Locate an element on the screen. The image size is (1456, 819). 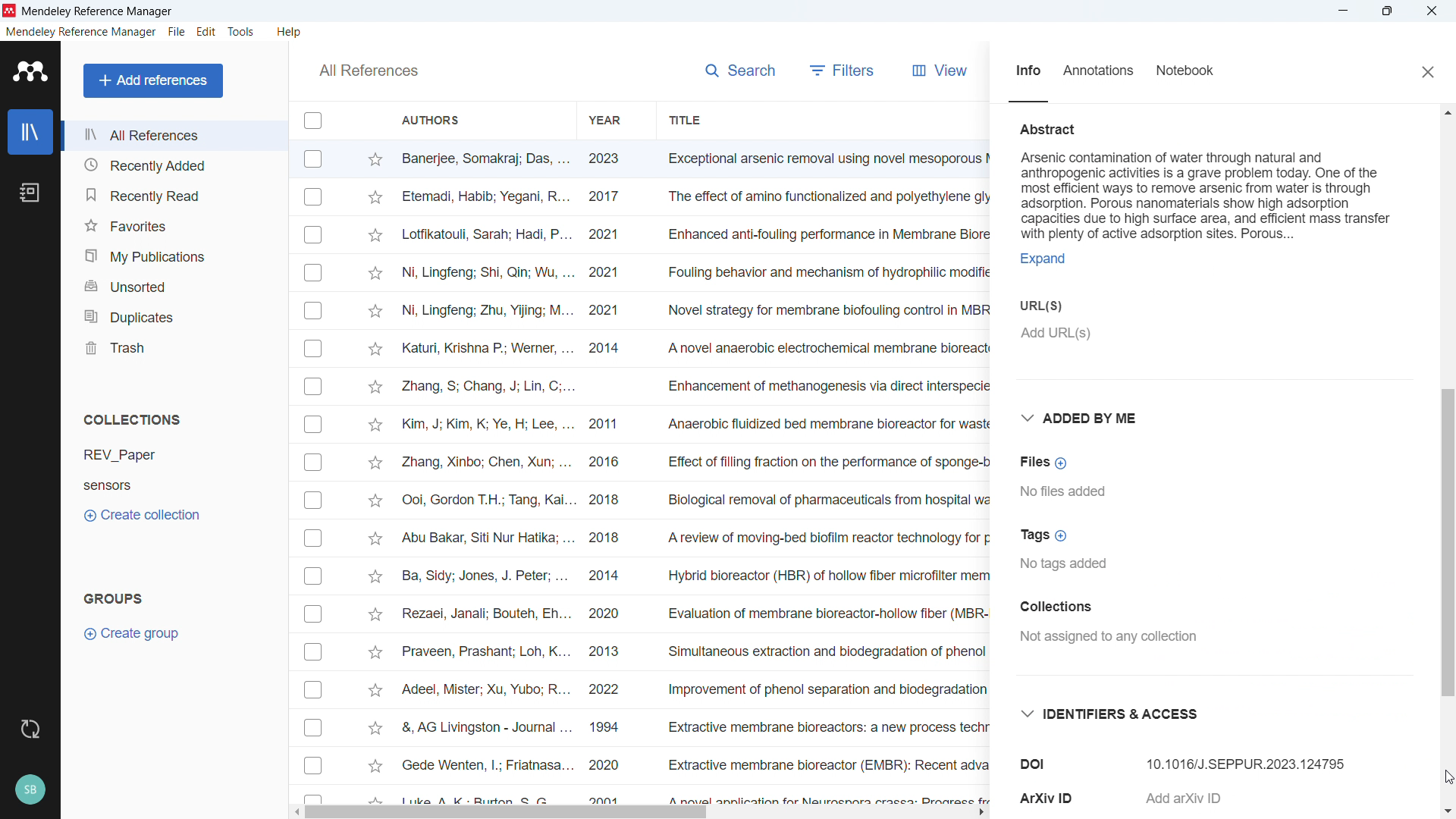
click to select individual entry is located at coordinates (316, 426).